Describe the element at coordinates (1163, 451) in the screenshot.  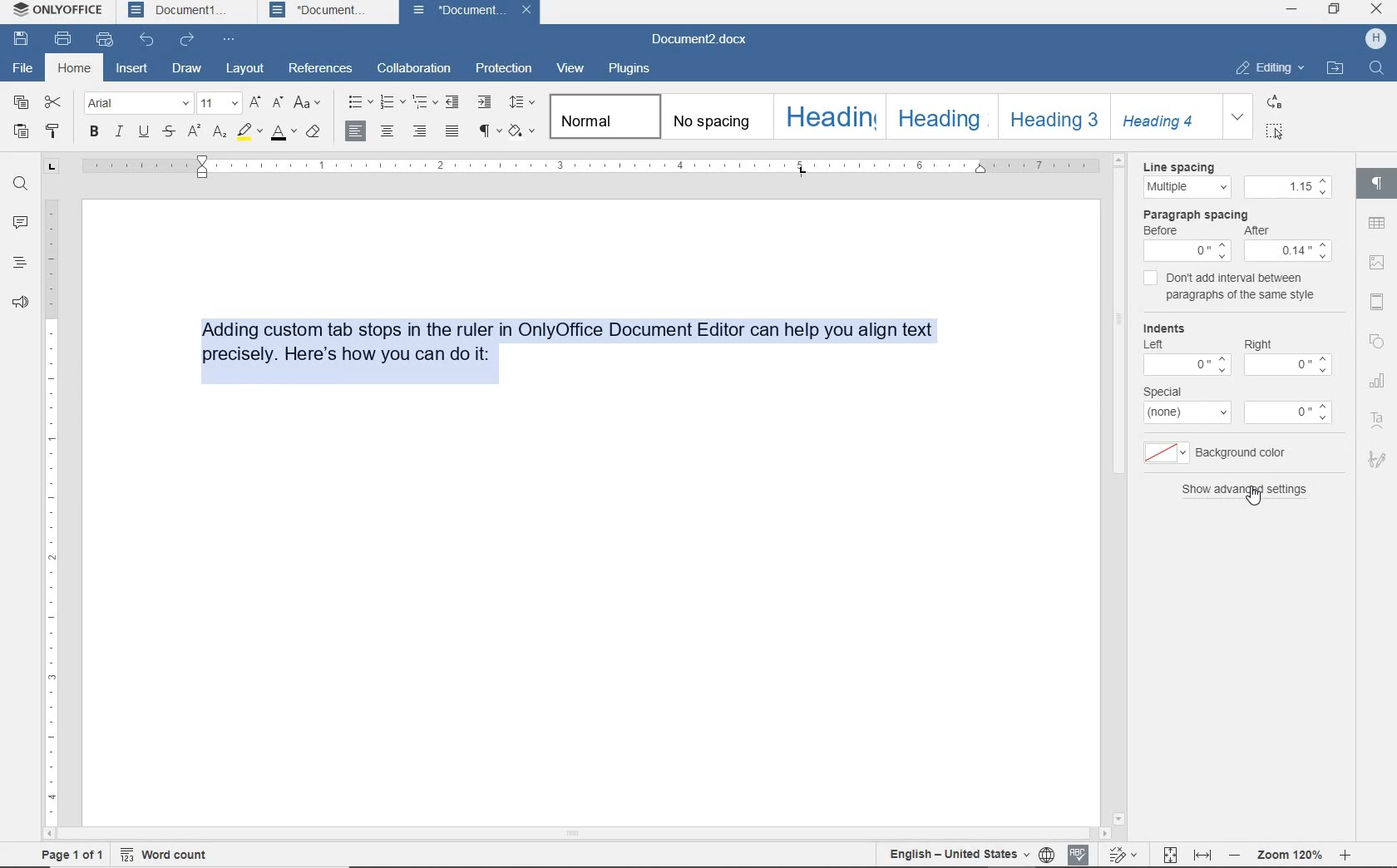
I see `menu` at that location.